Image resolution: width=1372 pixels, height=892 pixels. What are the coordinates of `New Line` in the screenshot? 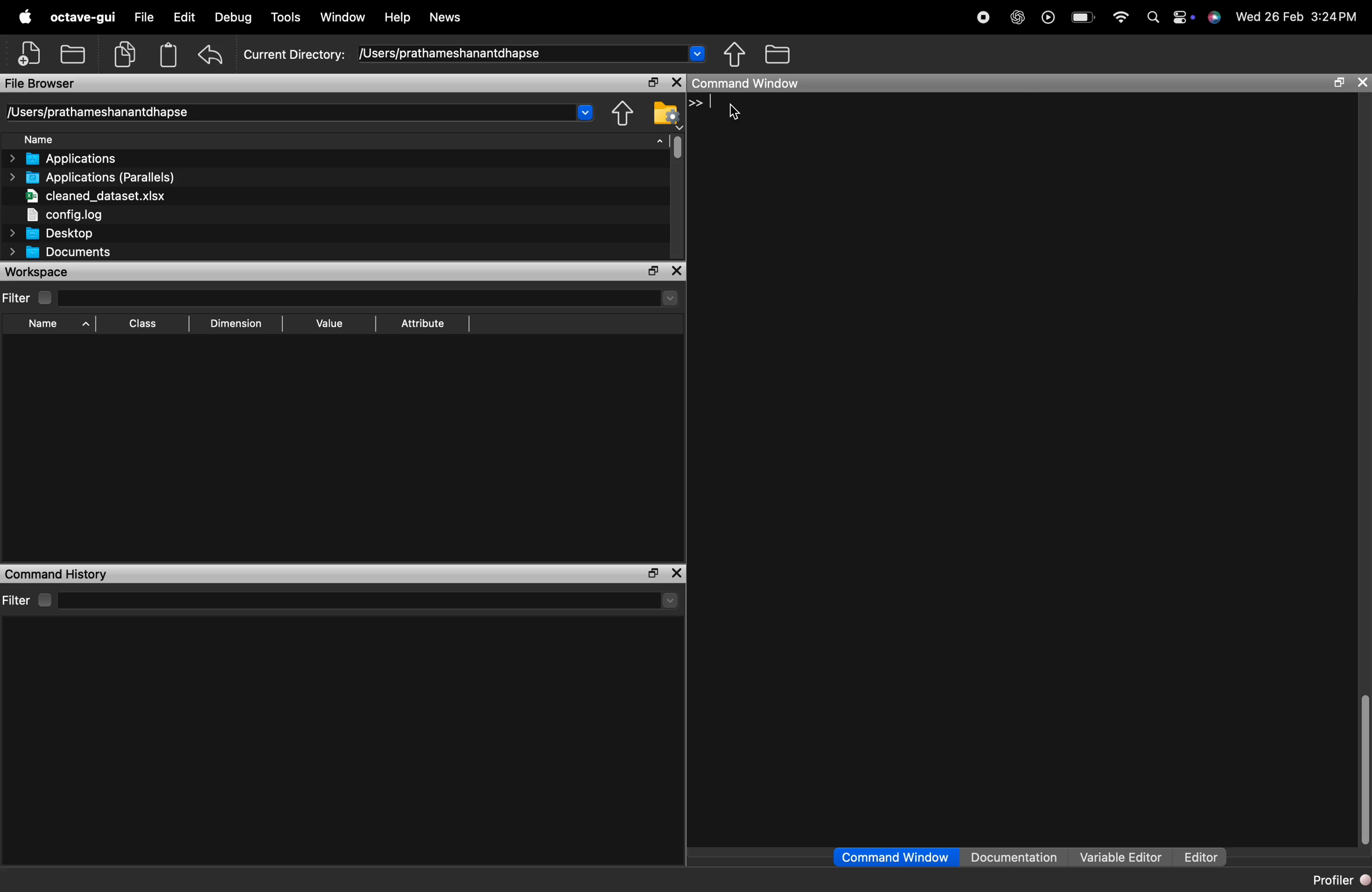 It's located at (696, 103).